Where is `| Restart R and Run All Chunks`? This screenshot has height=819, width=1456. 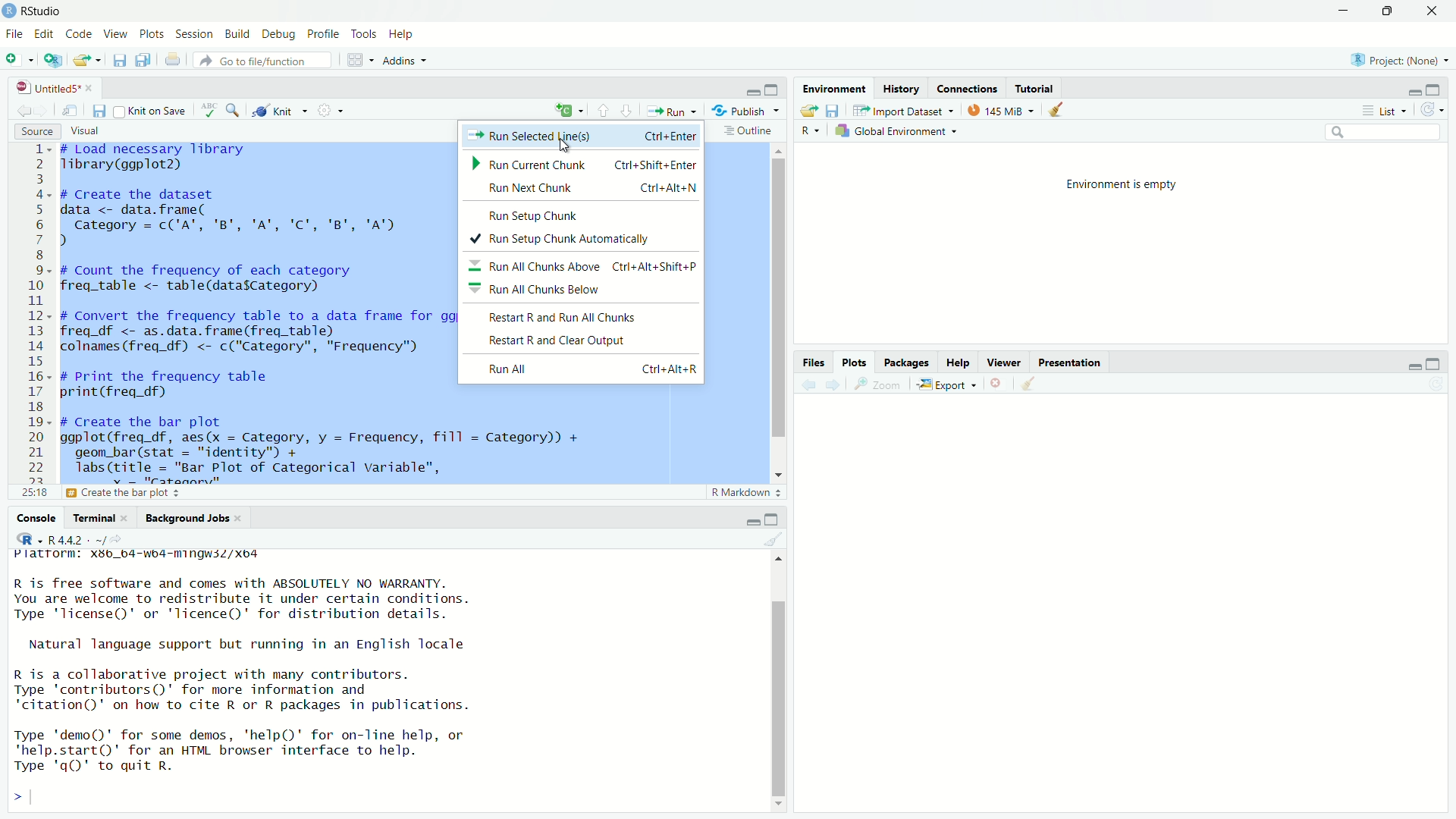 | Restart R and Run All Chunks is located at coordinates (585, 315).